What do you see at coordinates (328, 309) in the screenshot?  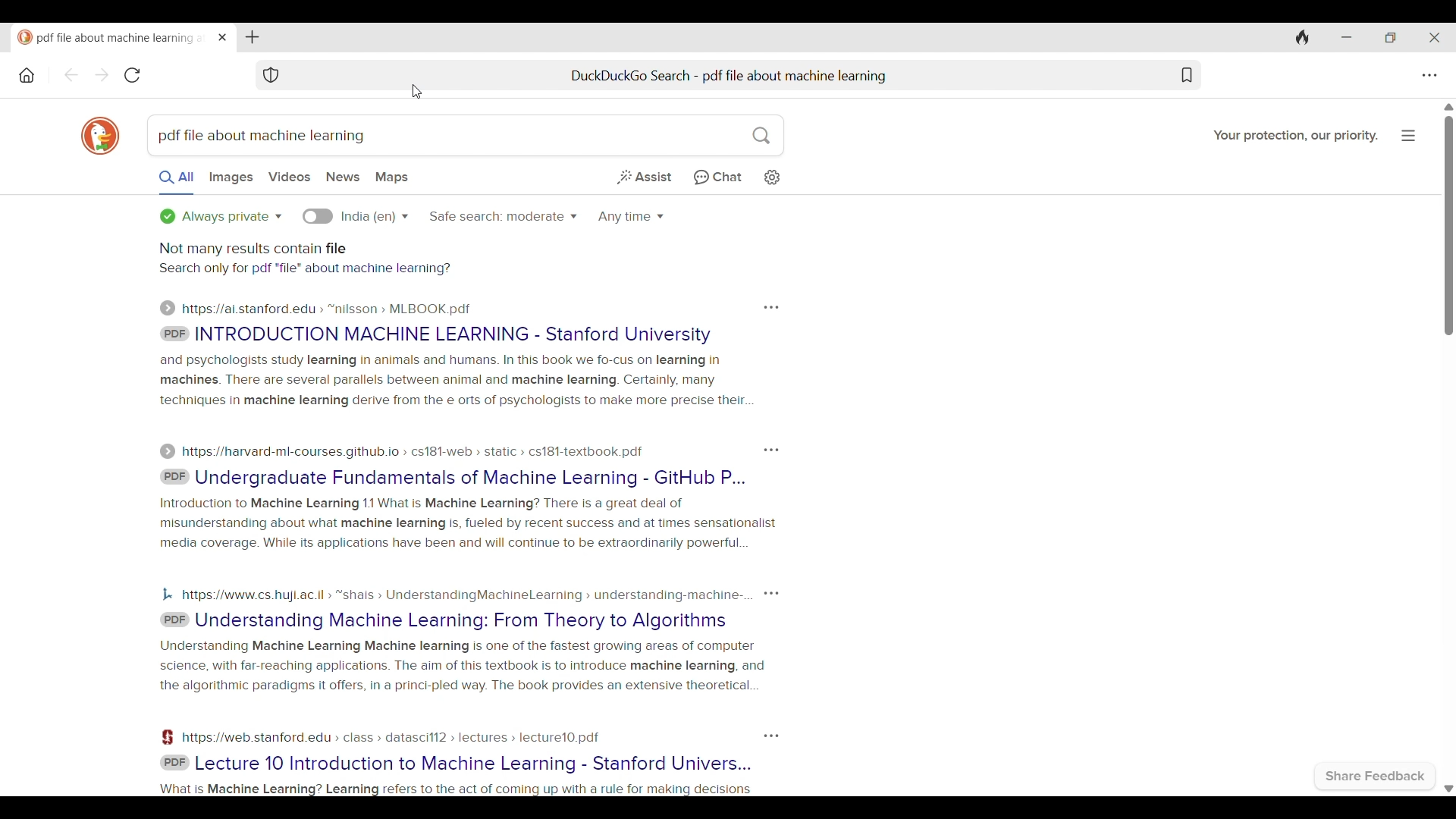 I see `https://ai.stanford.edu > “nilsson >» MLBOOK pdf` at bounding box center [328, 309].